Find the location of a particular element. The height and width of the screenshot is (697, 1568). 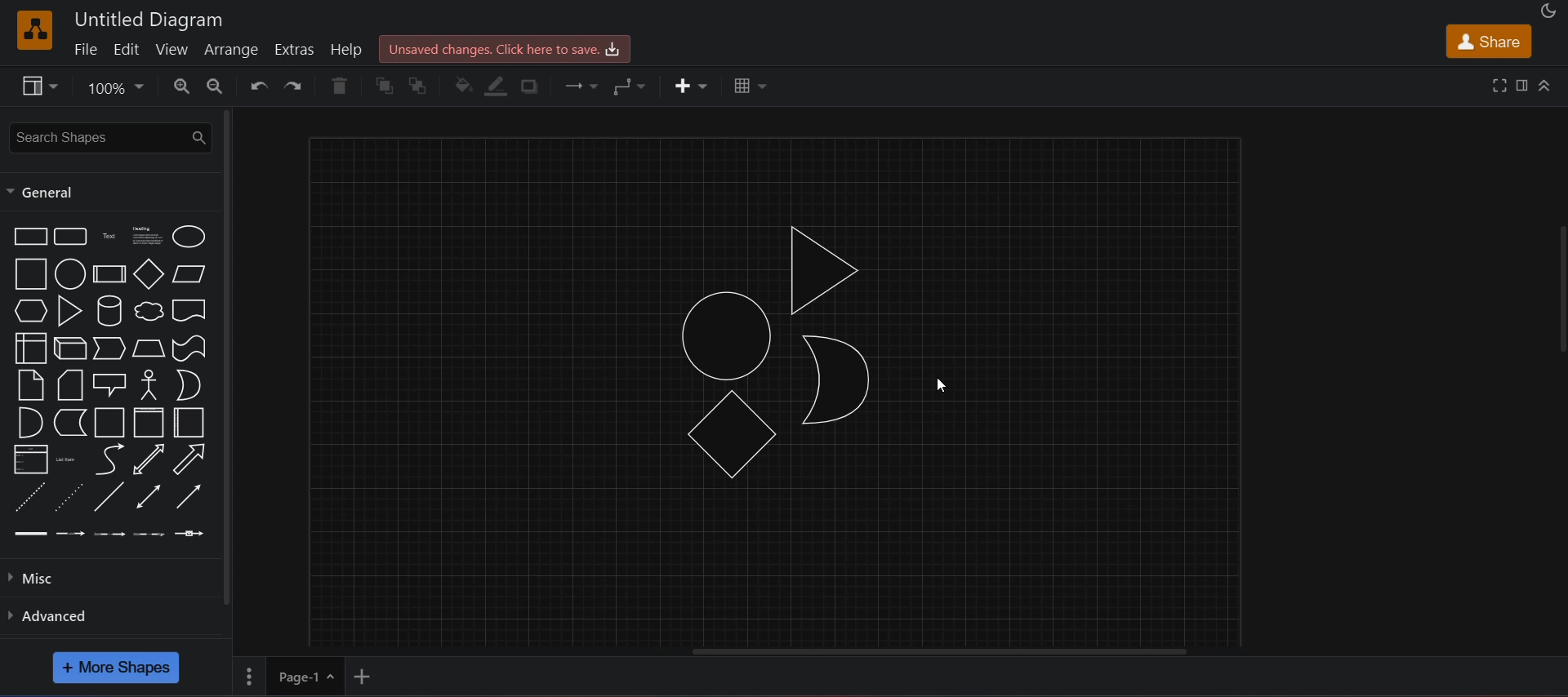

view is located at coordinates (42, 88).